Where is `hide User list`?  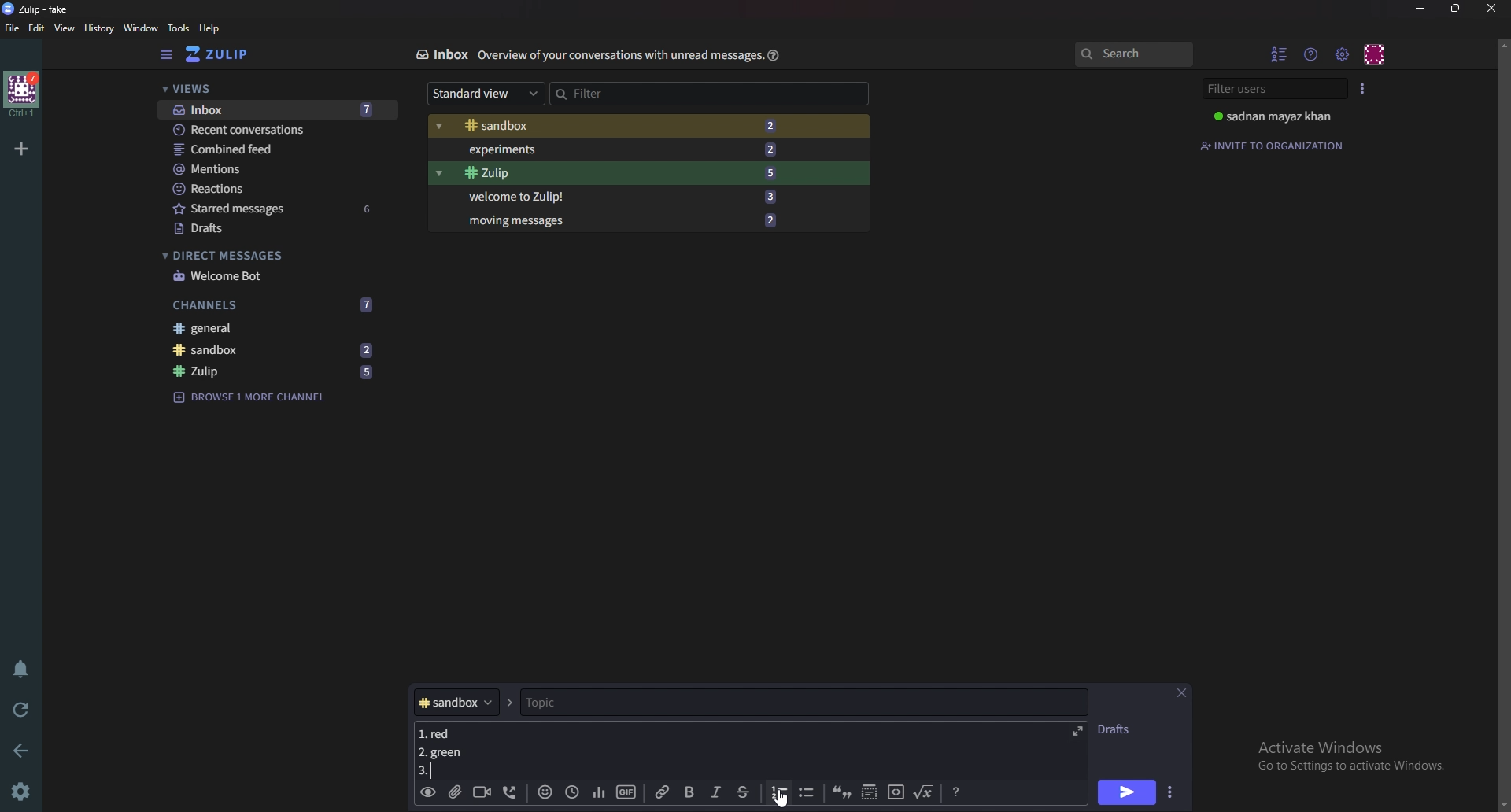
hide User list is located at coordinates (1280, 54).